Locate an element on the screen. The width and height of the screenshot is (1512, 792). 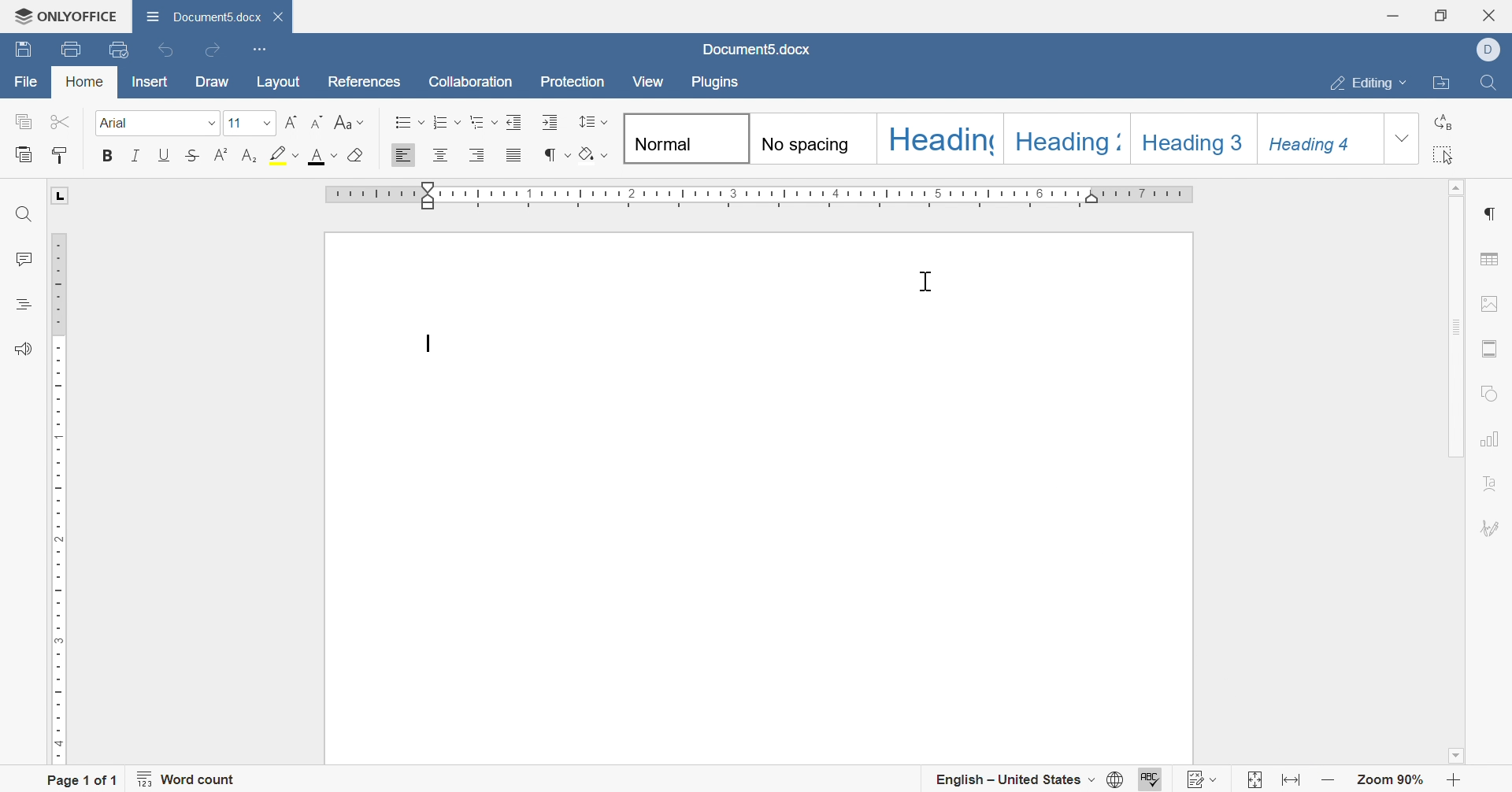
restore down is located at coordinates (1441, 15).